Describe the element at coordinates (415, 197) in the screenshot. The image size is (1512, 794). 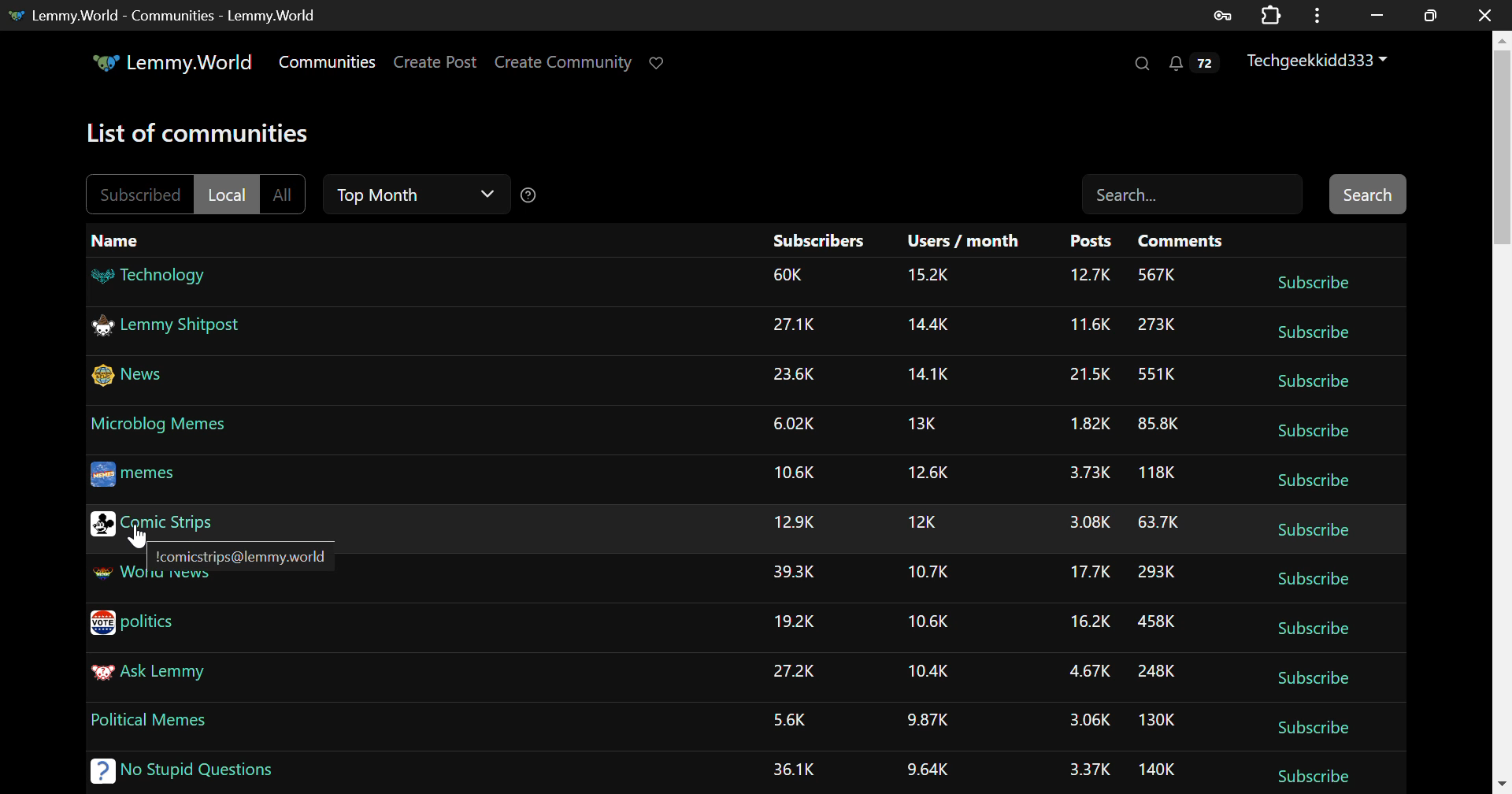
I see `Top Month` at that location.